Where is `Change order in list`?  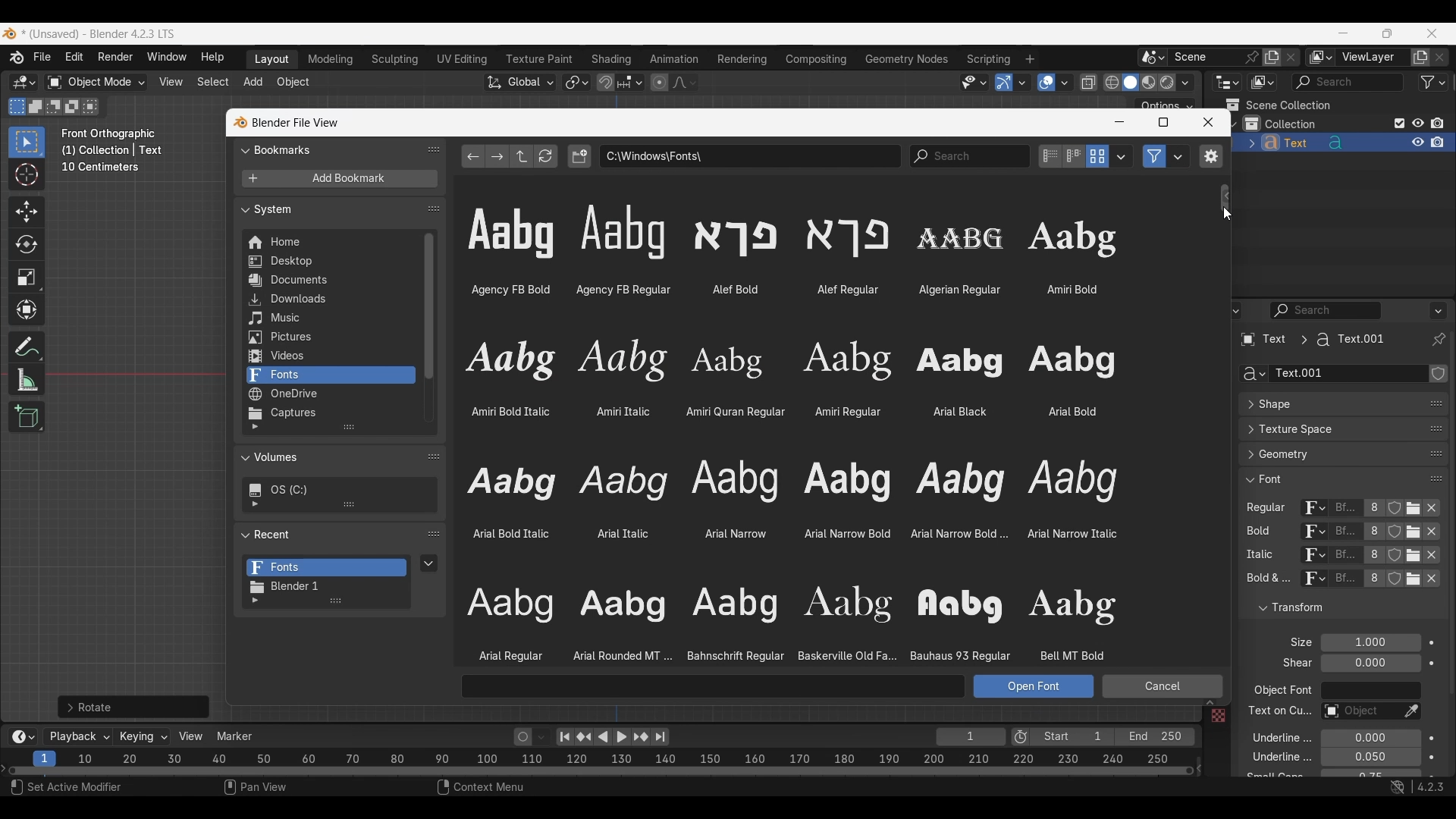 Change order in list is located at coordinates (434, 456).